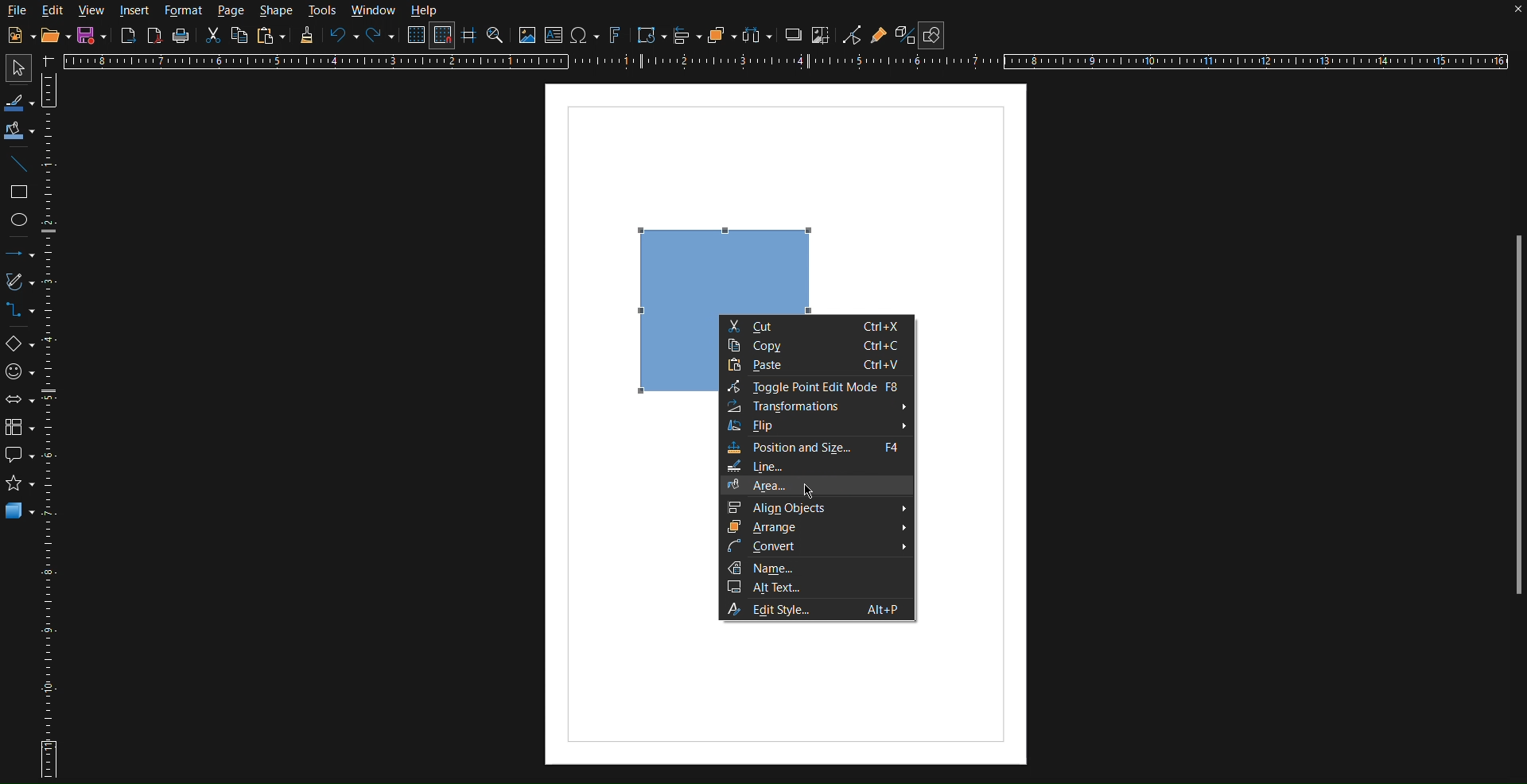 The width and height of the screenshot is (1527, 784). Describe the element at coordinates (232, 12) in the screenshot. I see `Page` at that location.